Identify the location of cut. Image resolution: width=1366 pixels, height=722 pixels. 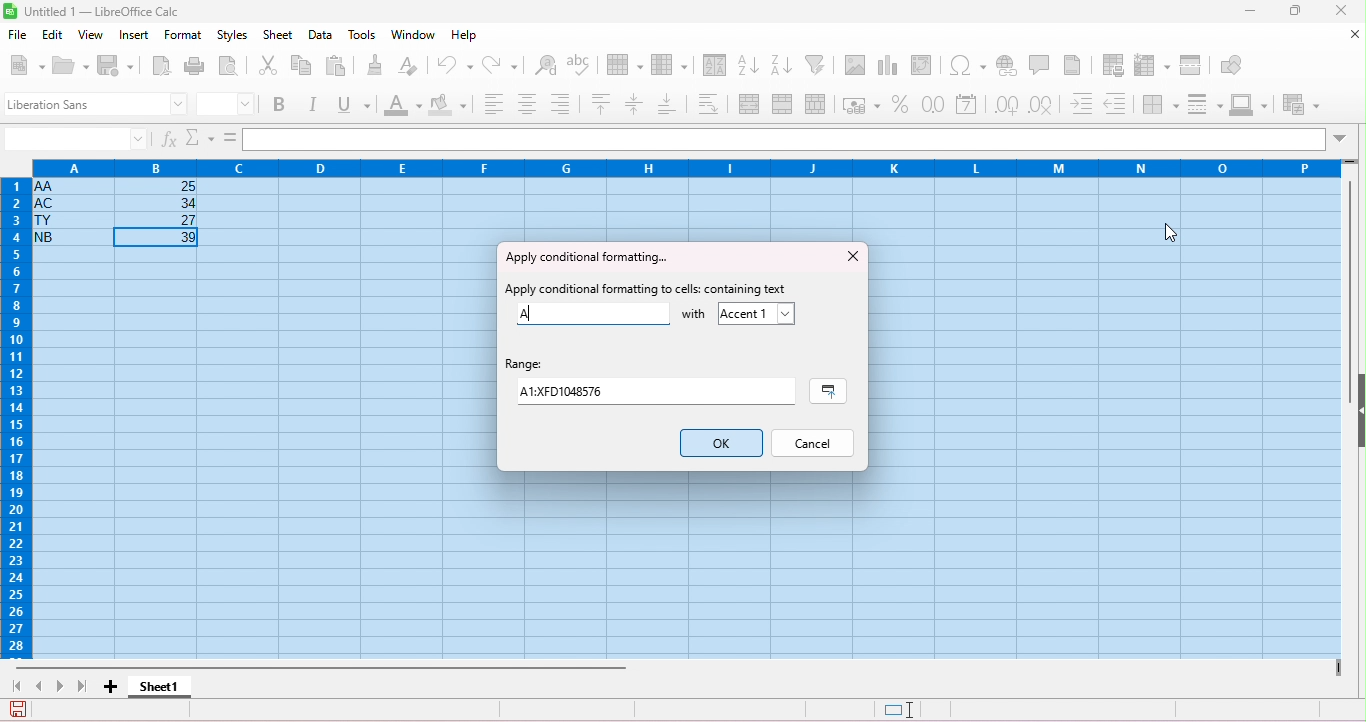
(270, 64).